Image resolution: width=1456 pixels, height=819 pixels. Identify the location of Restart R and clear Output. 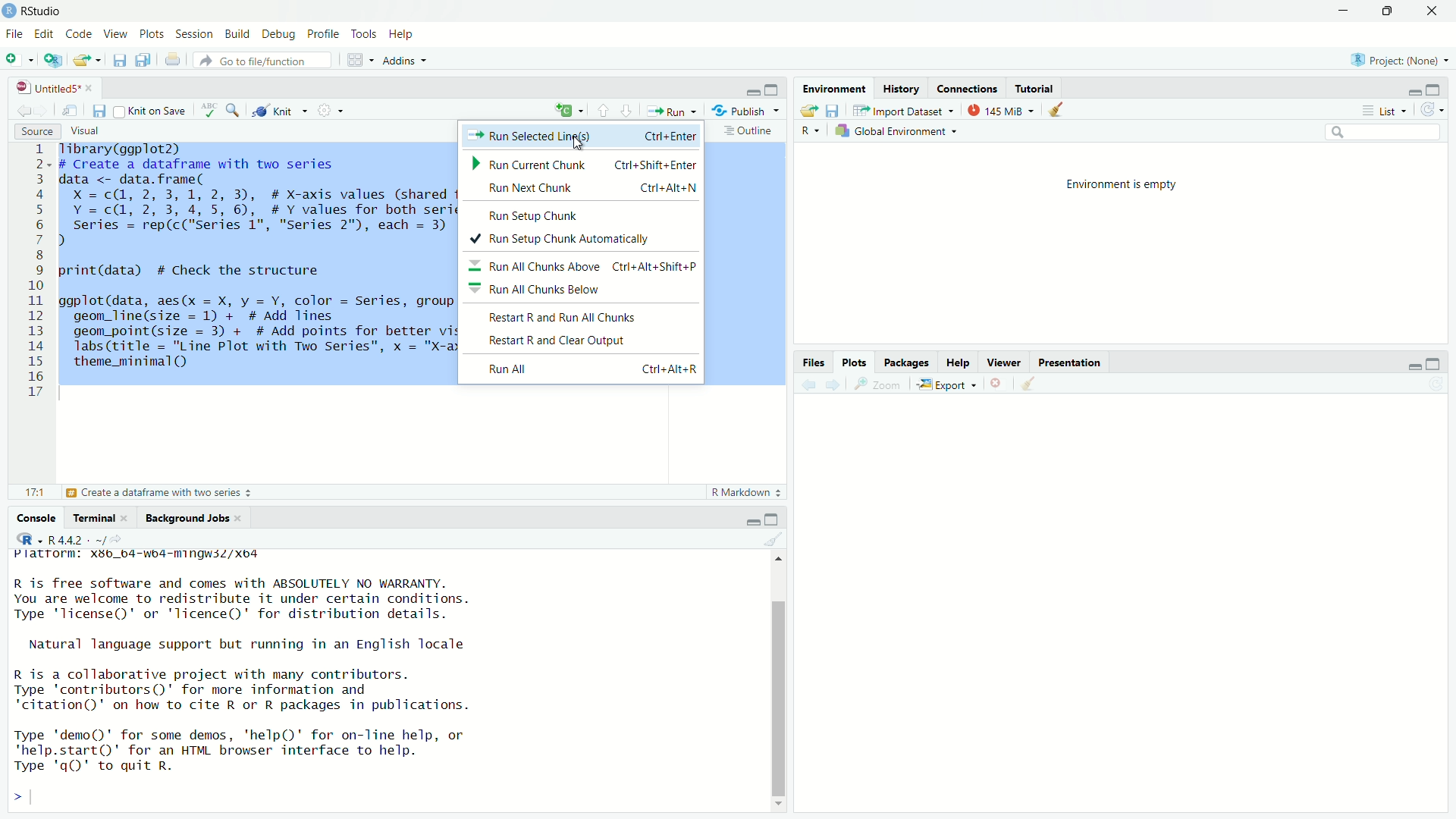
(557, 342).